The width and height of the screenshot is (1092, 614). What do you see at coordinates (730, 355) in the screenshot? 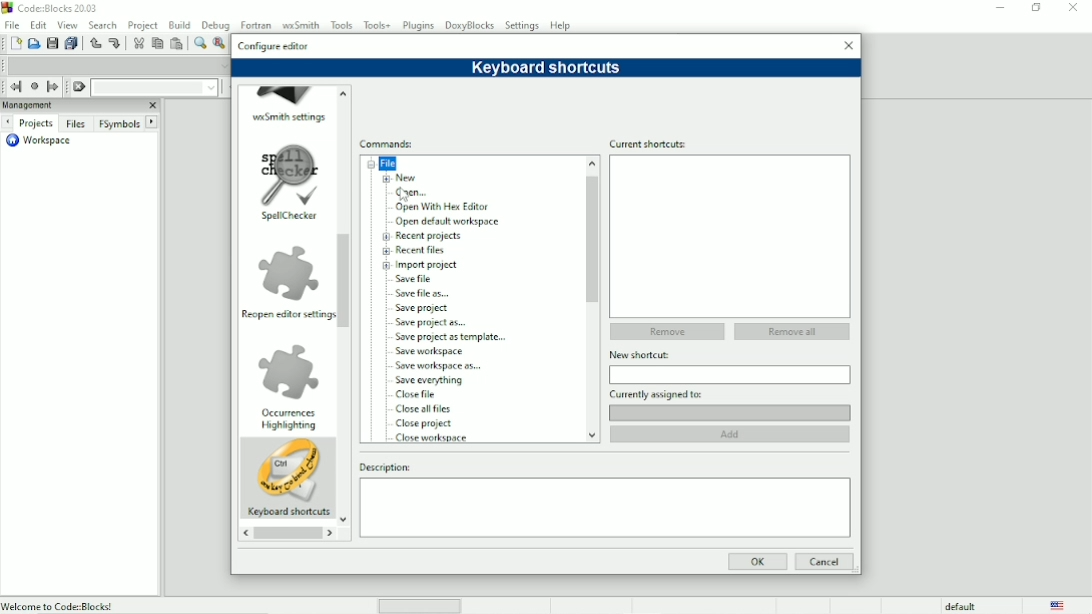
I see `New shortcut` at bounding box center [730, 355].